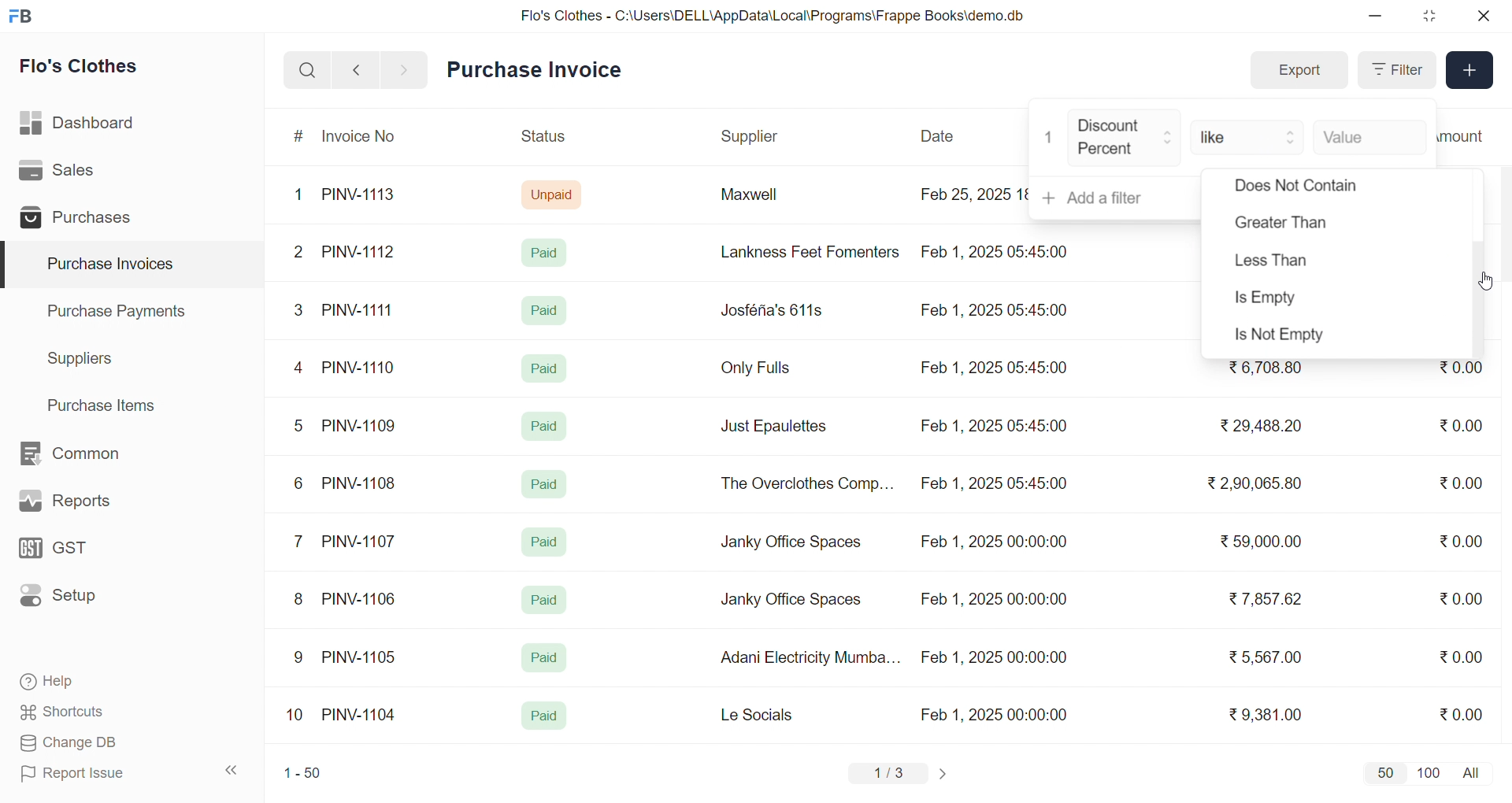 The height and width of the screenshot is (803, 1512). What do you see at coordinates (996, 714) in the screenshot?
I see `Feb 1, 2025 00:00:00` at bounding box center [996, 714].